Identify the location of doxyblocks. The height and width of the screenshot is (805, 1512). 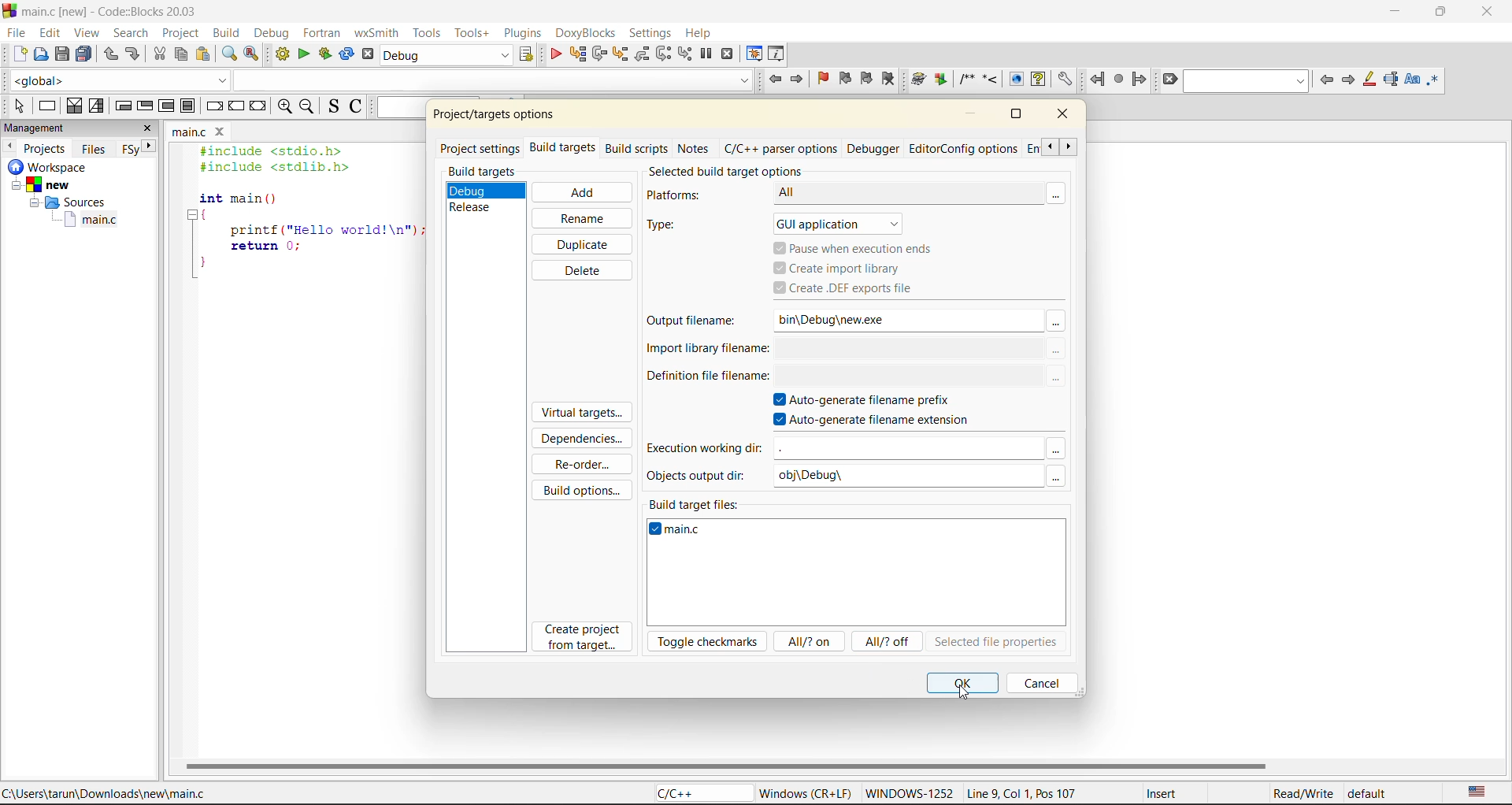
(584, 33).